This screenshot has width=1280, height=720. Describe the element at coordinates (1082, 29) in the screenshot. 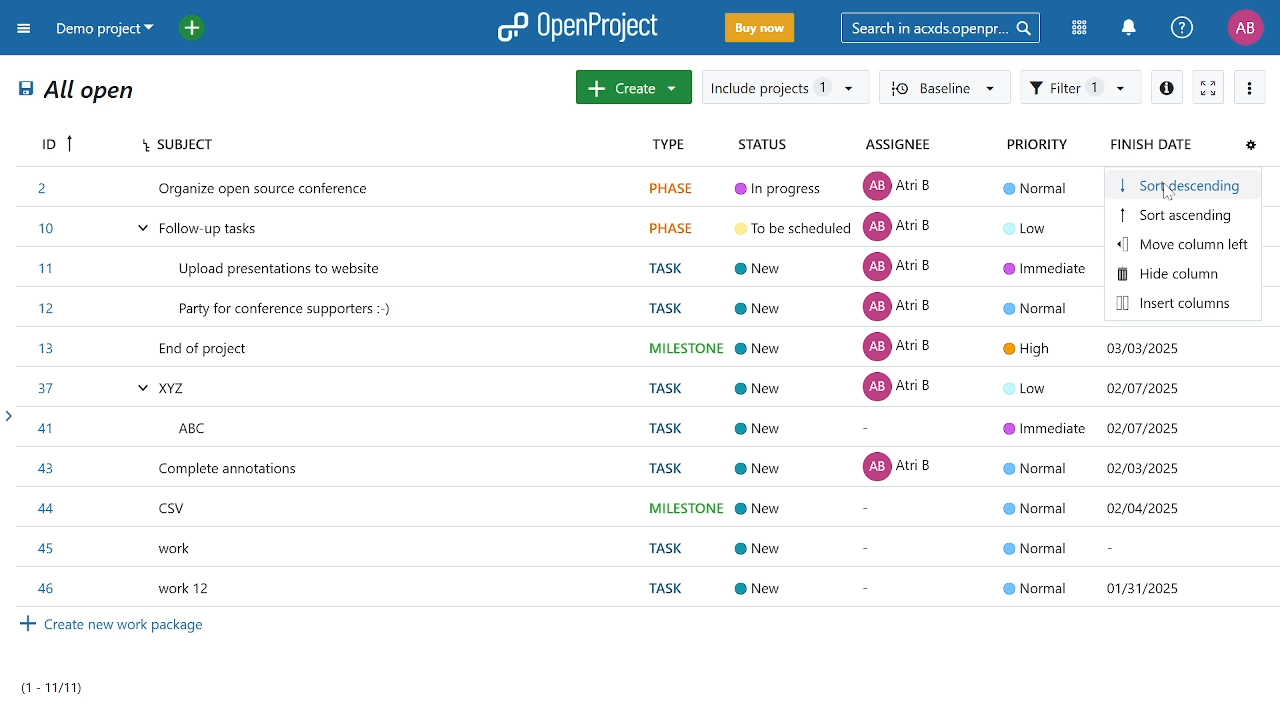

I see `modules` at that location.